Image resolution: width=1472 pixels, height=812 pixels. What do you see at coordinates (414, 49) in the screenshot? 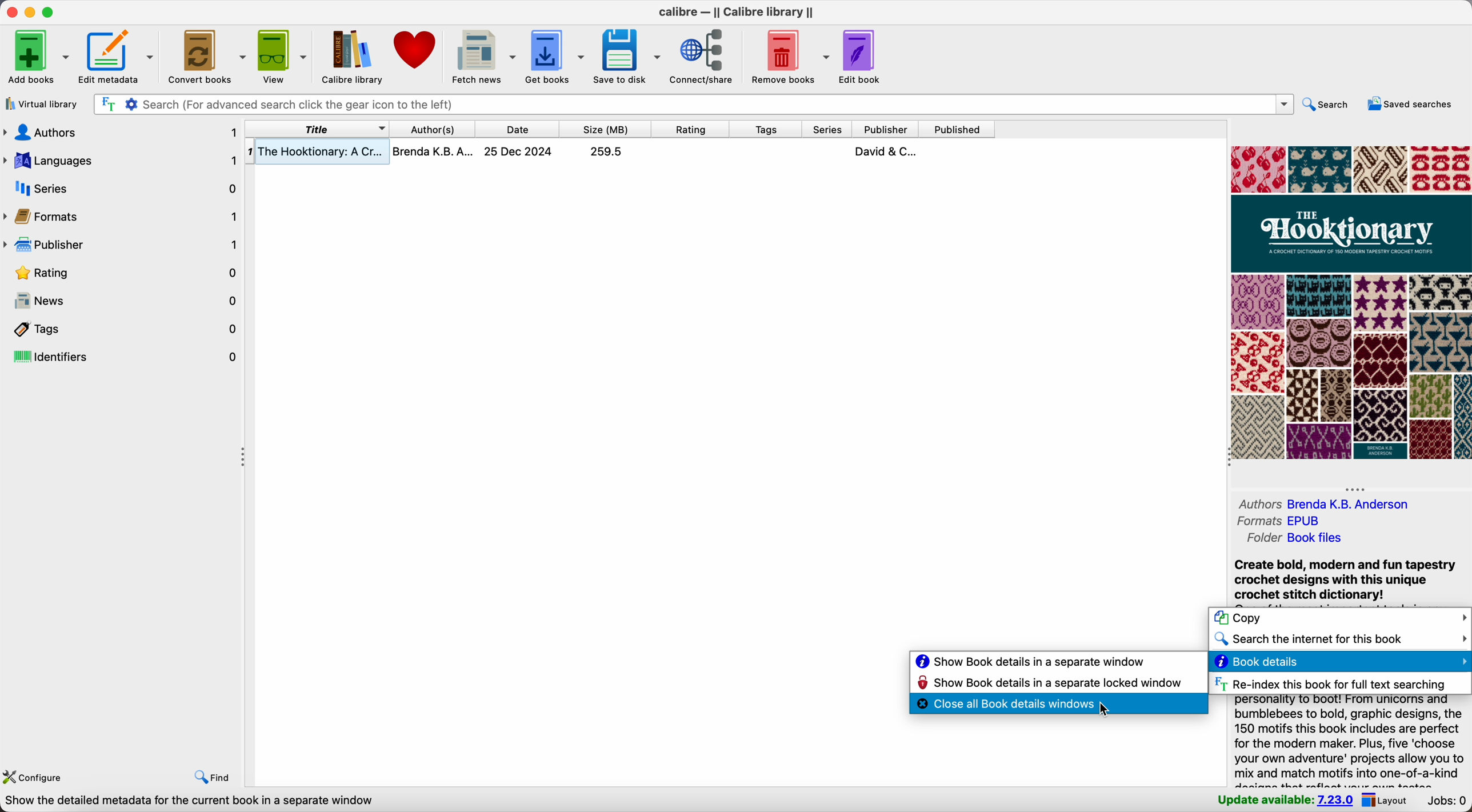
I see `donate` at bounding box center [414, 49].